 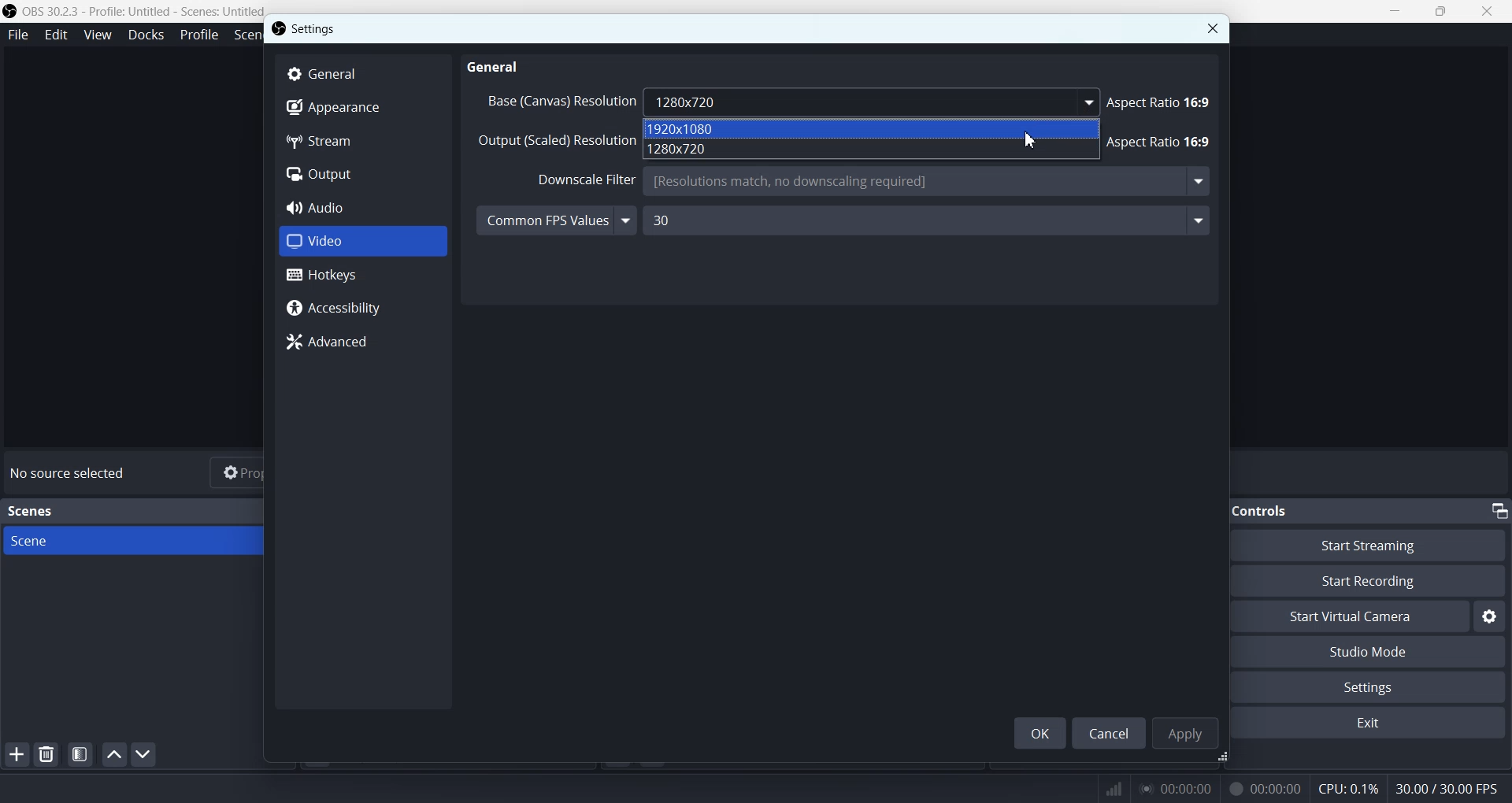 What do you see at coordinates (1383, 581) in the screenshot?
I see `Start Recording` at bounding box center [1383, 581].